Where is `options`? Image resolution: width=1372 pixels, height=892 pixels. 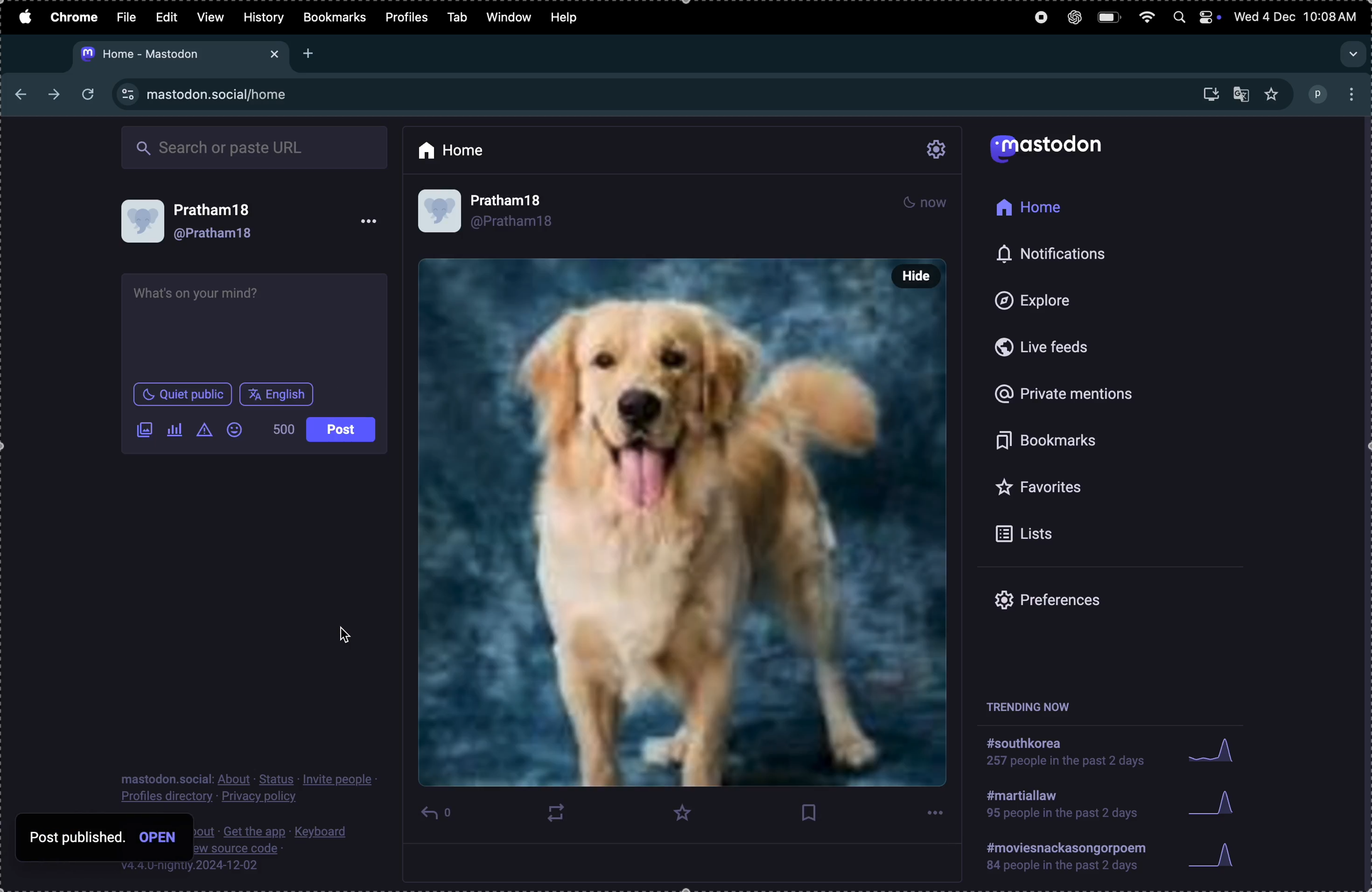 options is located at coordinates (938, 814).